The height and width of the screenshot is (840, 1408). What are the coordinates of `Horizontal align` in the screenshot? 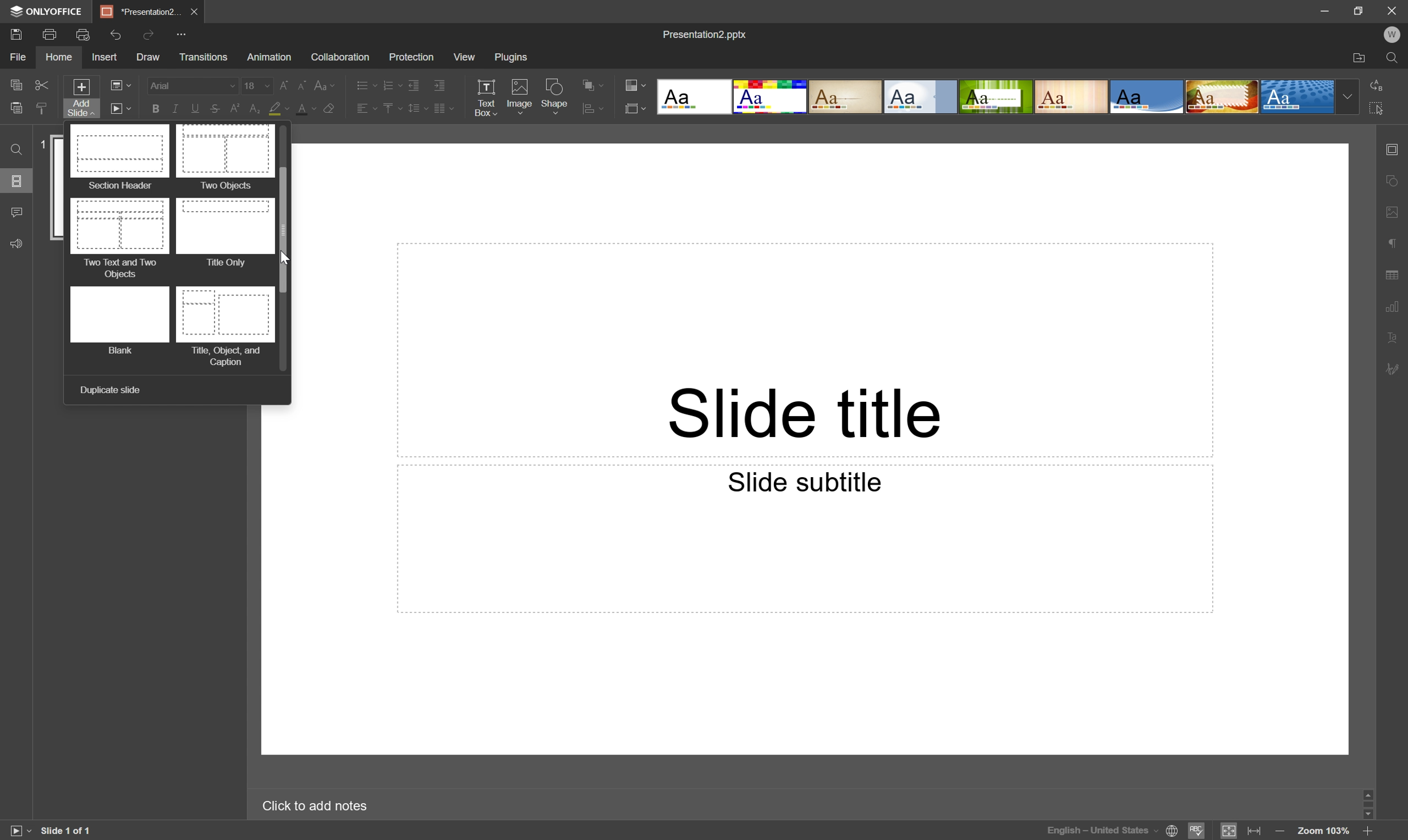 It's located at (360, 108).